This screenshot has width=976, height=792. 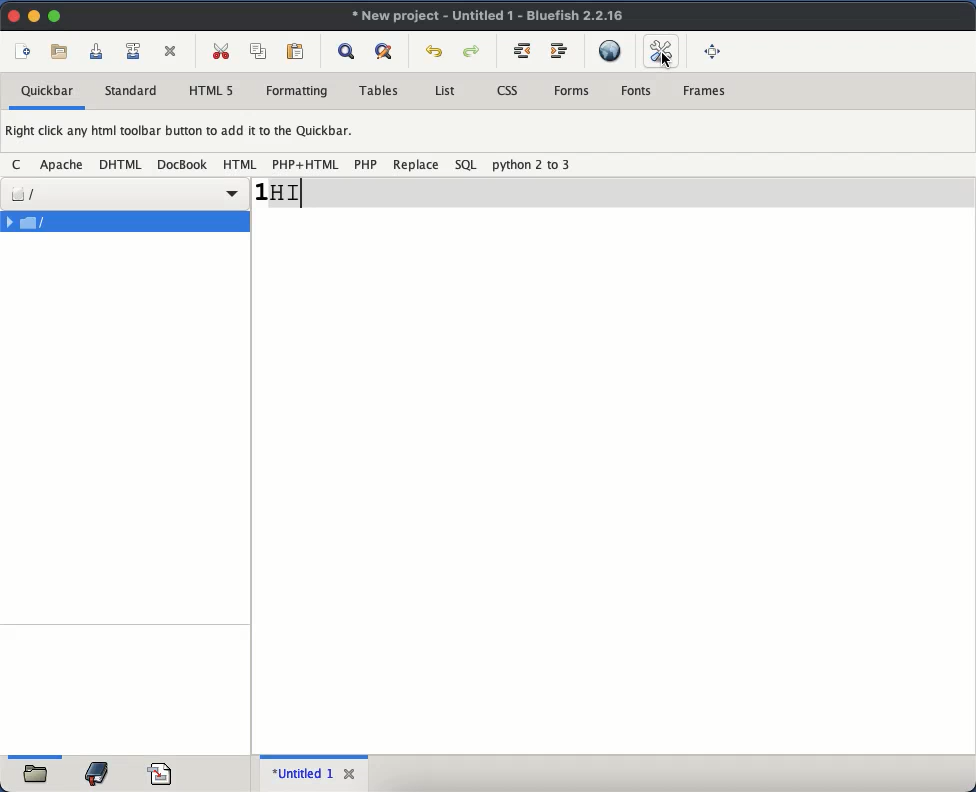 I want to click on bookmark, so click(x=99, y=772).